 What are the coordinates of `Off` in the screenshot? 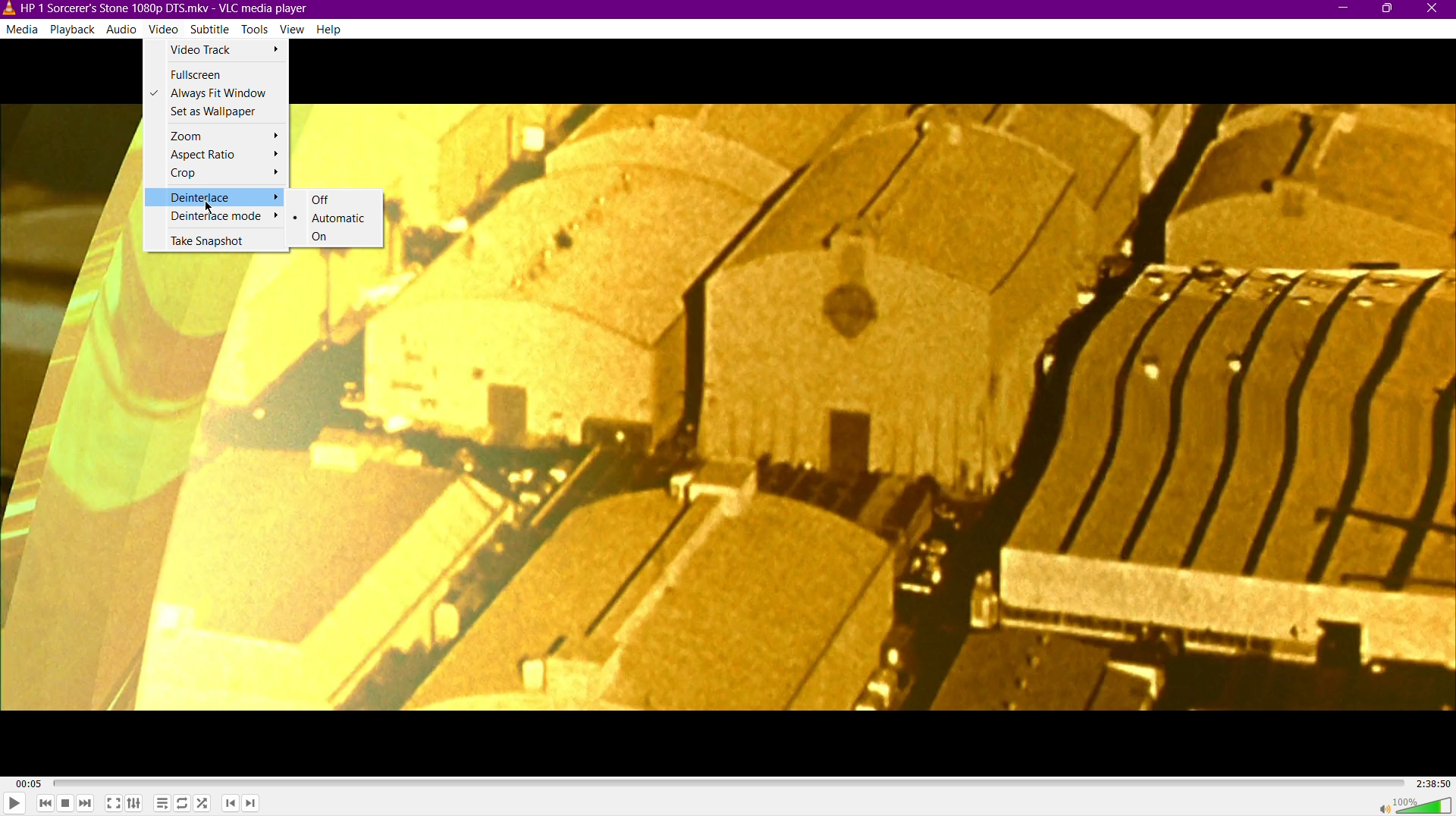 It's located at (334, 198).